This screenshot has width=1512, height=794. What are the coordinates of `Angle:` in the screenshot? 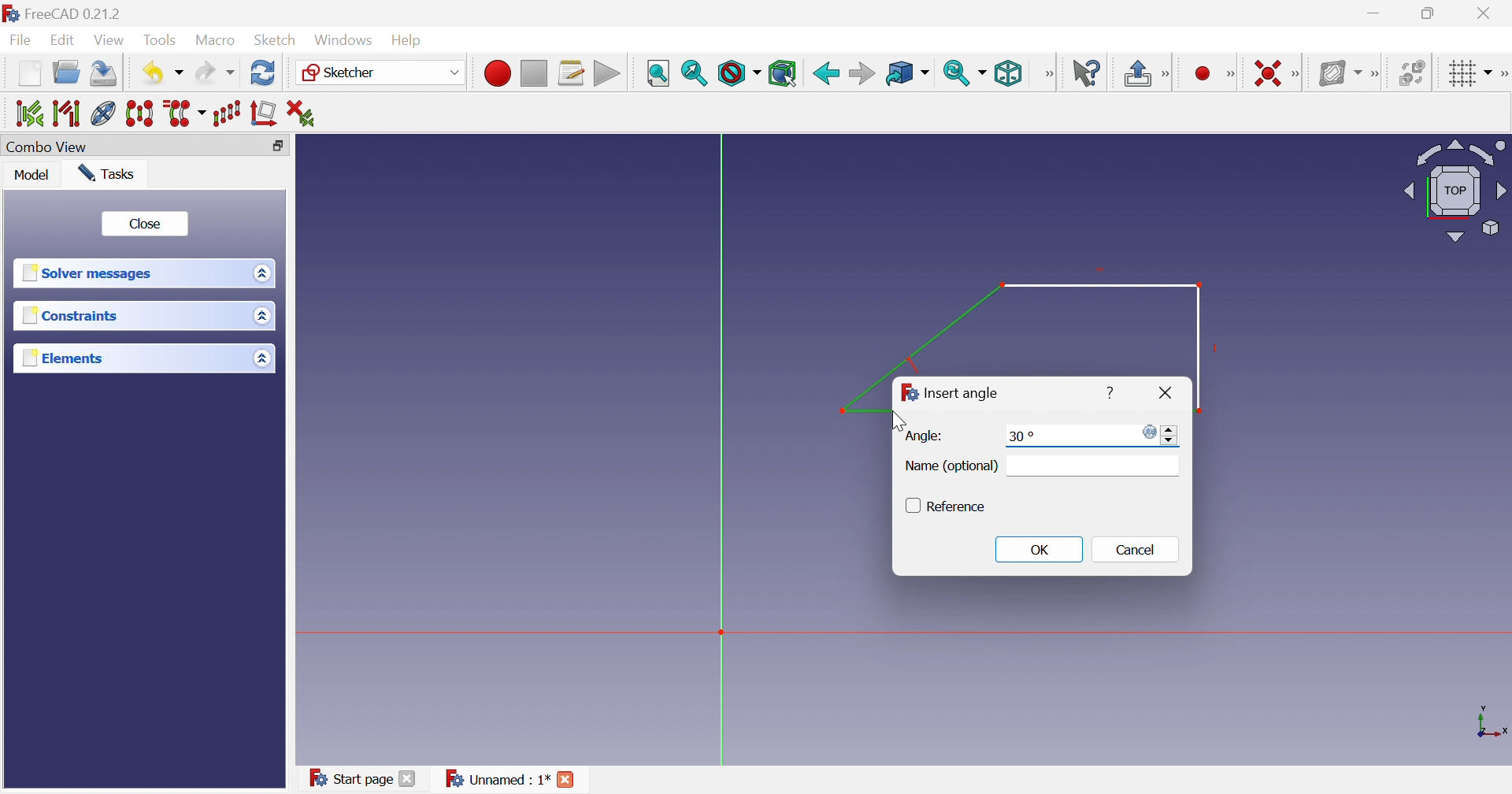 It's located at (925, 436).